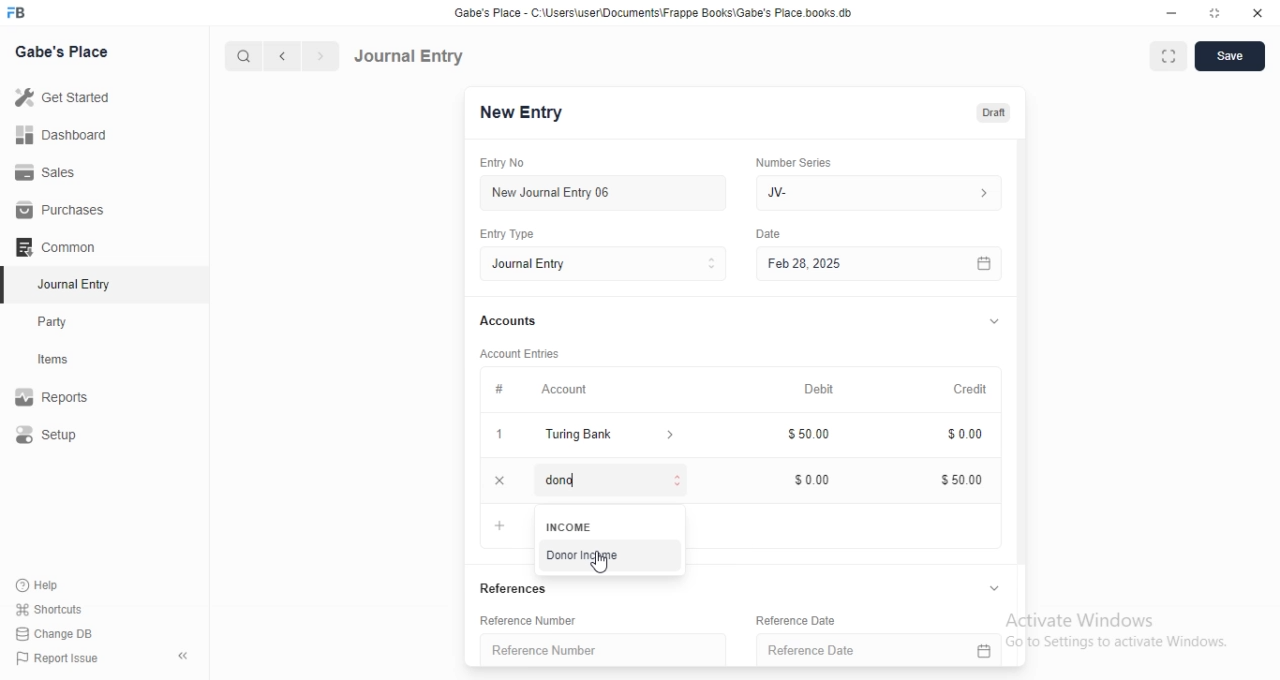  Describe the element at coordinates (66, 322) in the screenshot. I see `Party` at that location.